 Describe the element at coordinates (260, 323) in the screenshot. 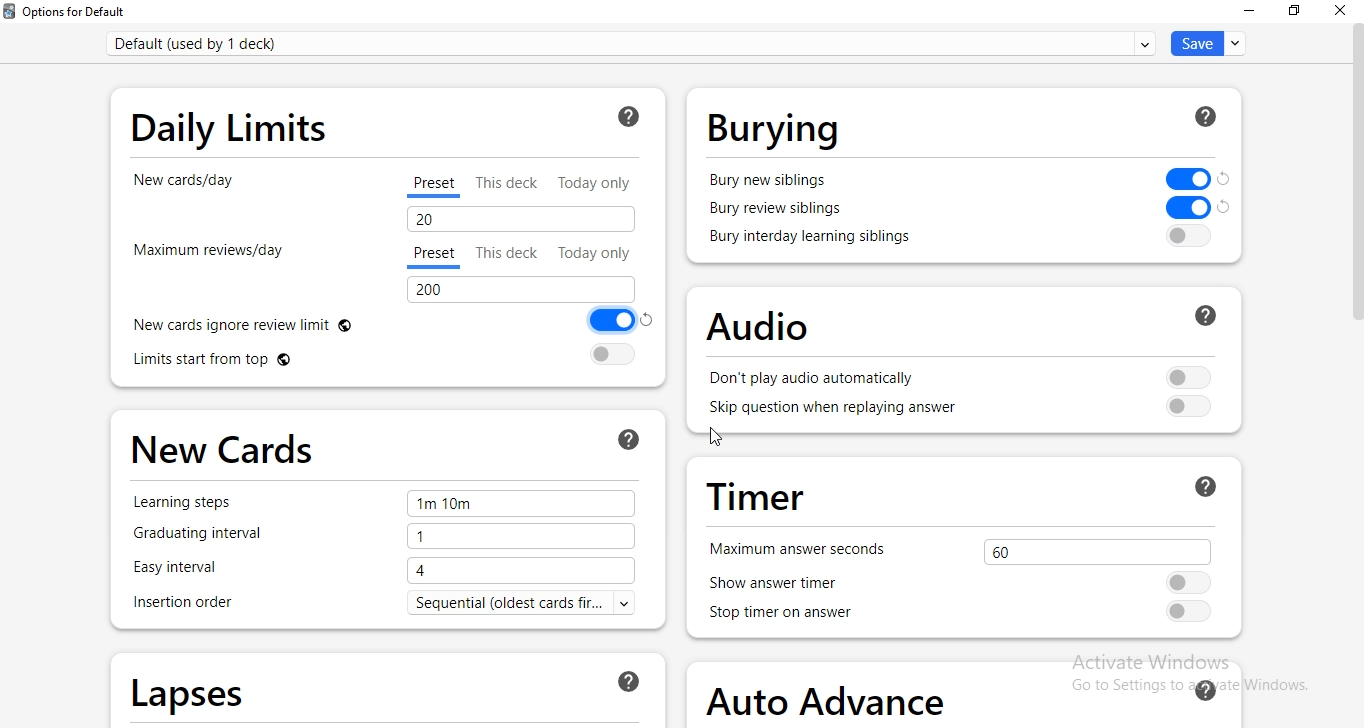

I see `new cards ignore review limit` at that location.